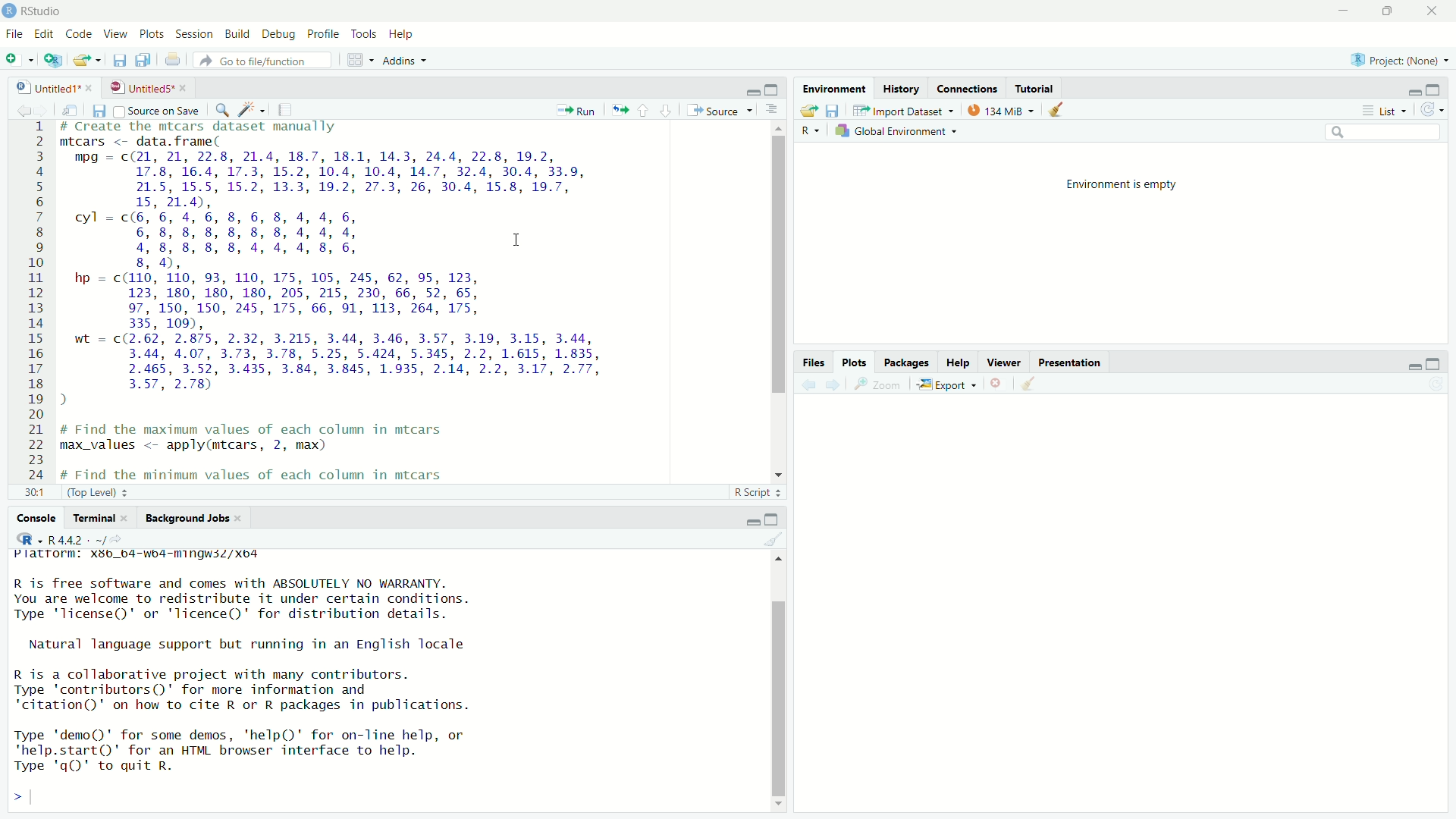  What do you see at coordinates (53, 86) in the screenshot?
I see `) | Untitled1*` at bounding box center [53, 86].